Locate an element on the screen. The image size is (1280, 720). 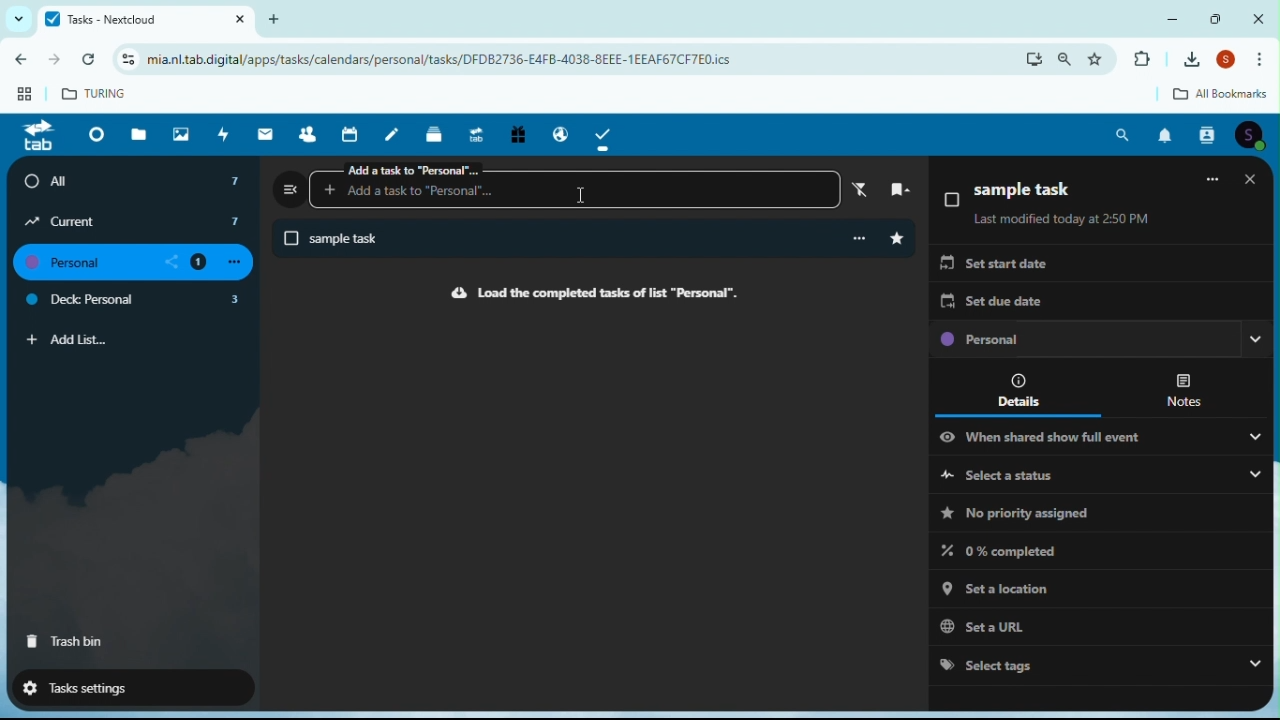
Change sort order is located at coordinates (1246, 191).